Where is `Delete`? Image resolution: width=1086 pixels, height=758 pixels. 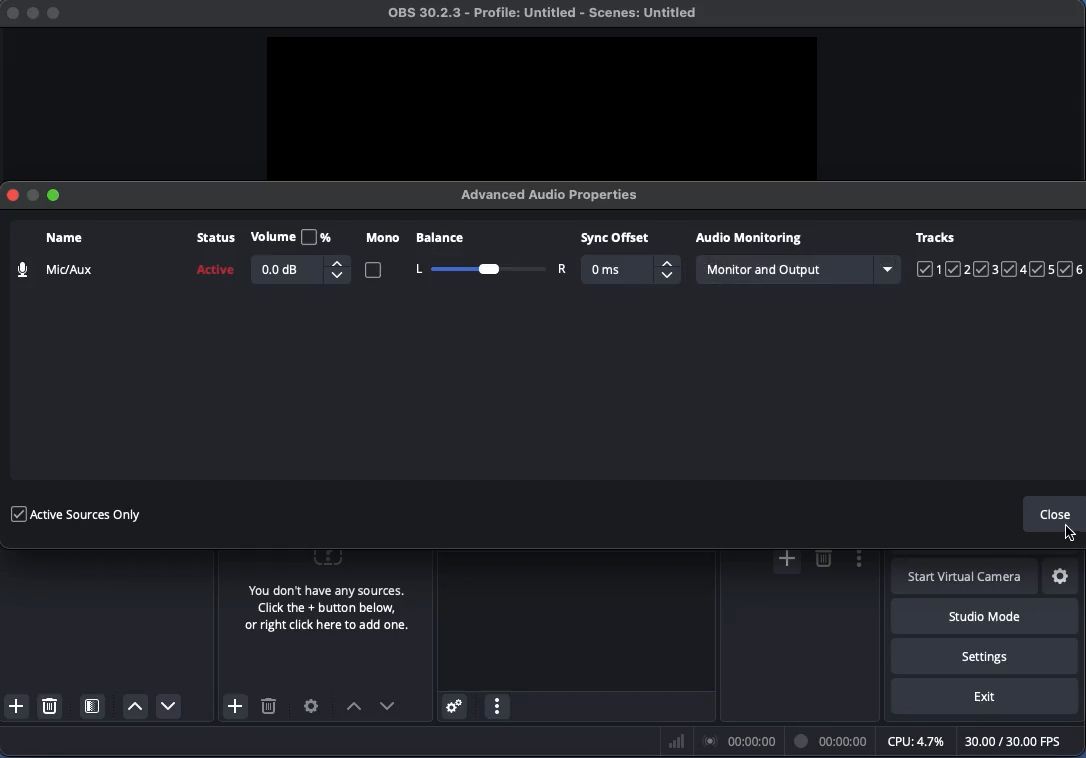 Delete is located at coordinates (269, 709).